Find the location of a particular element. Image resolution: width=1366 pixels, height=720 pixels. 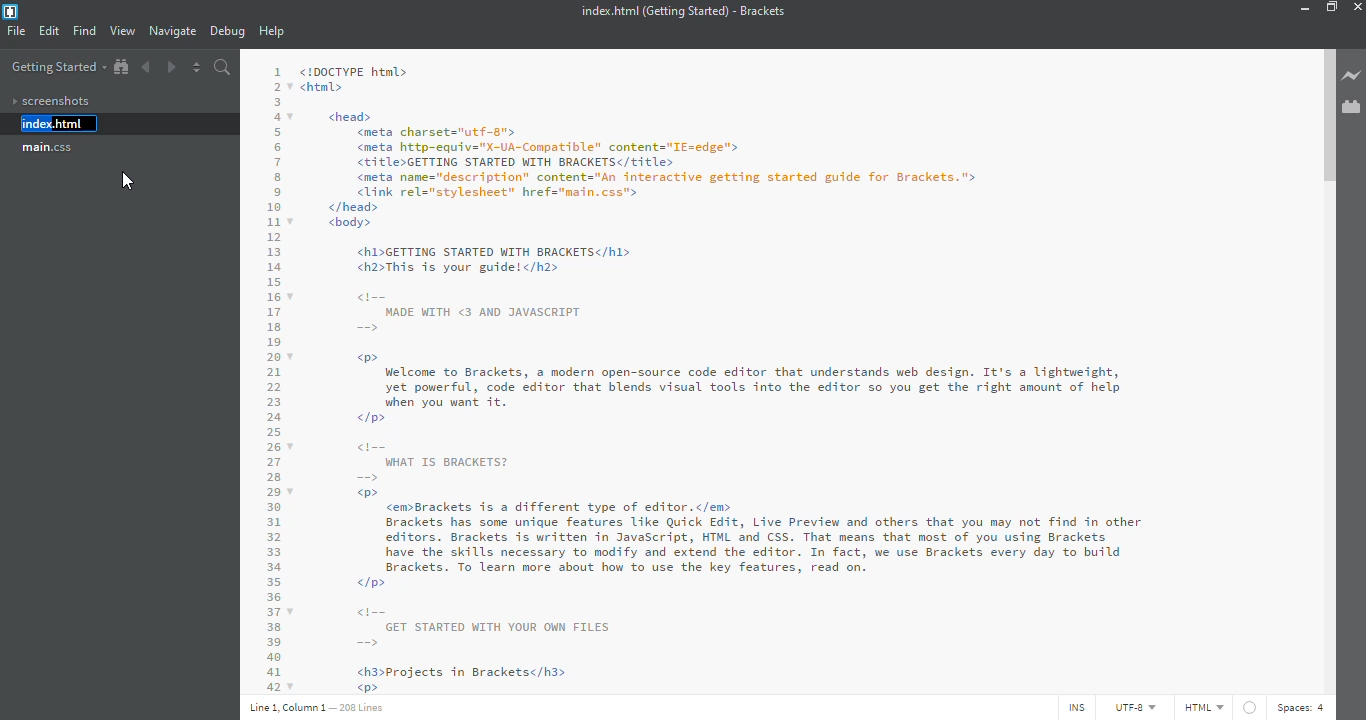

spaces 4 is located at coordinates (1303, 706).